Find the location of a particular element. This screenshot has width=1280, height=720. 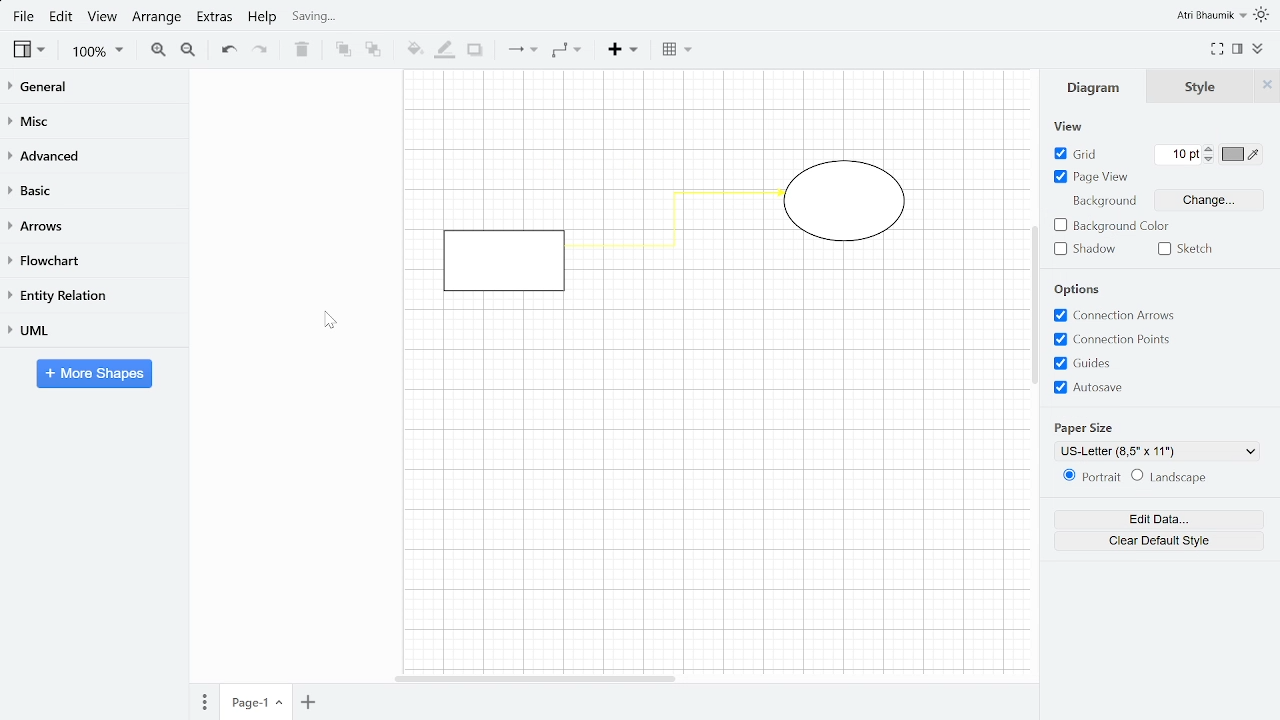

Waypoints is located at coordinates (566, 51).